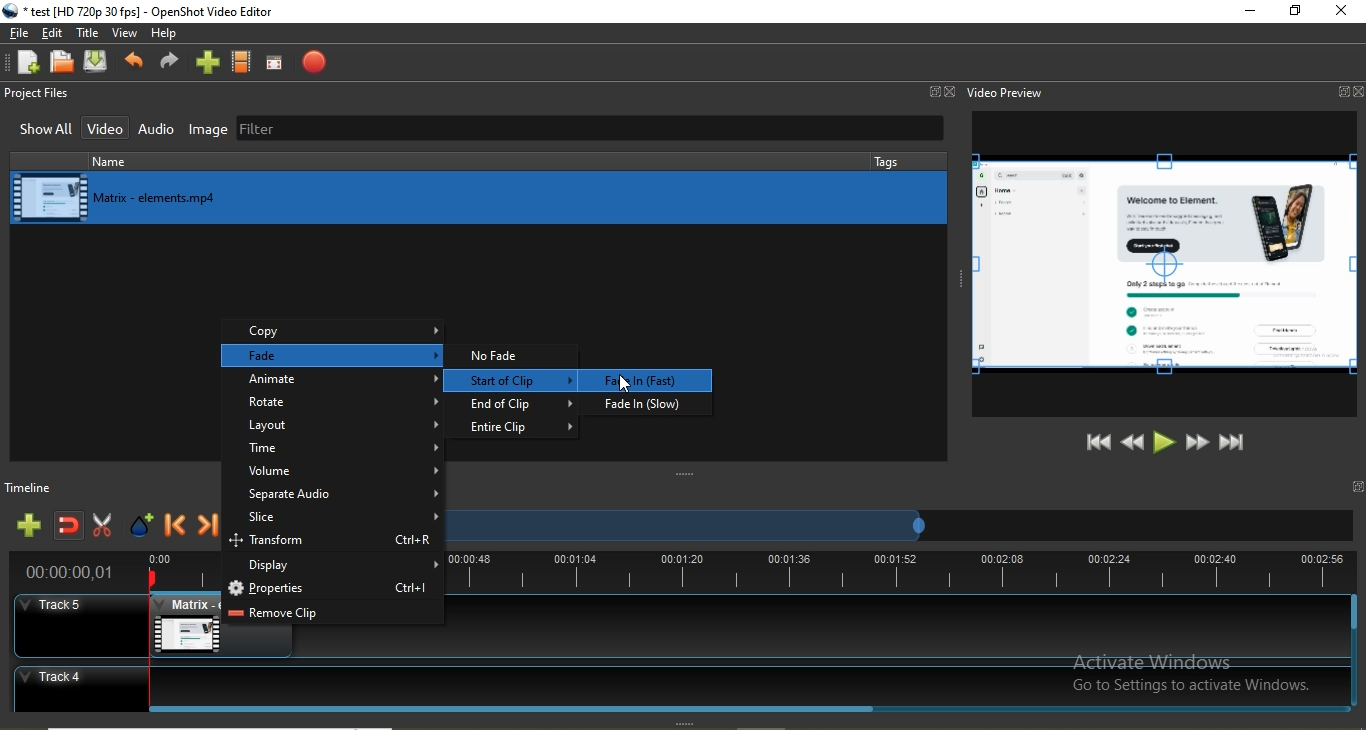 This screenshot has width=1366, height=730. What do you see at coordinates (1342, 92) in the screenshot?
I see `Window ` at bounding box center [1342, 92].